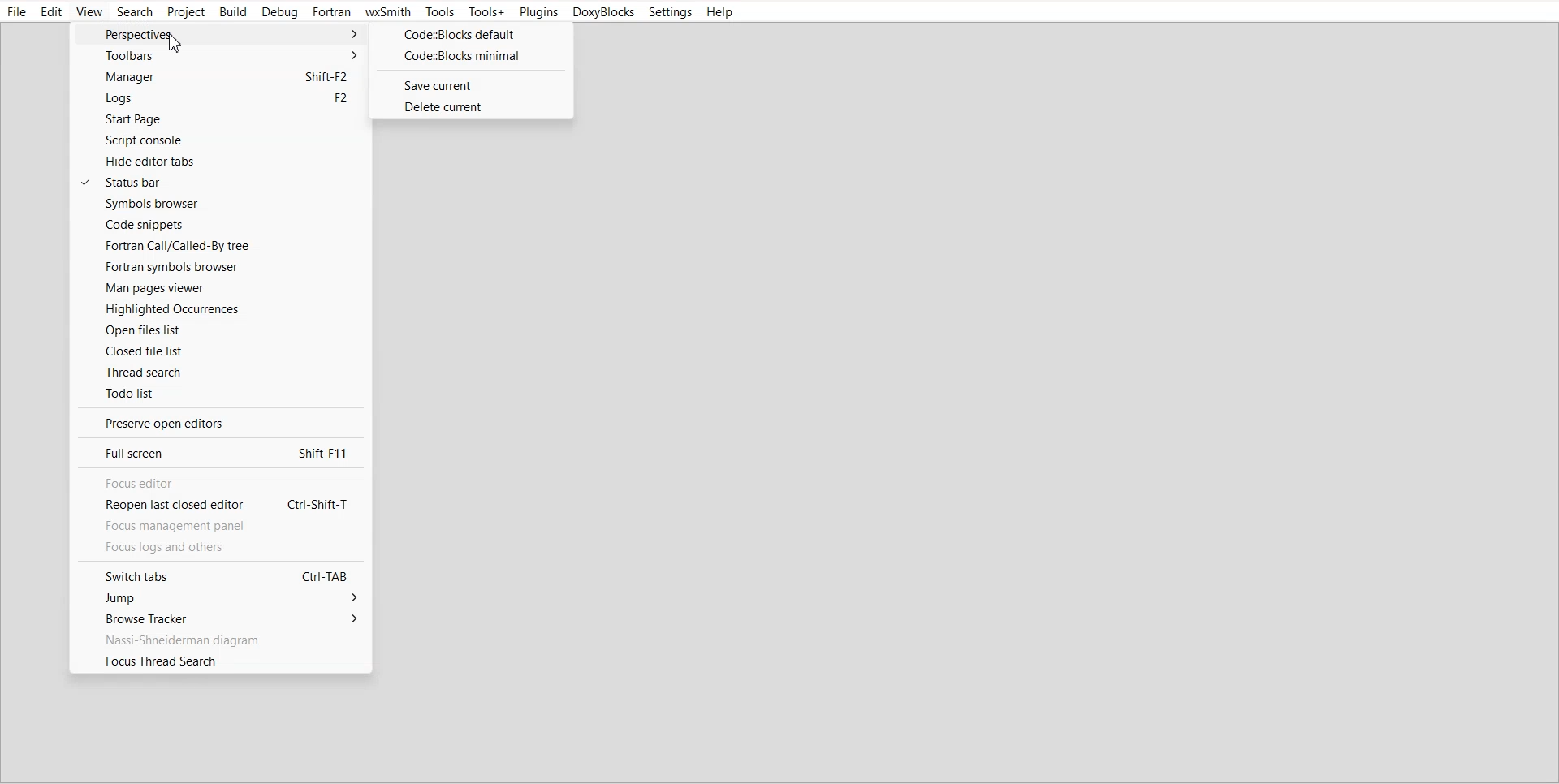 This screenshot has width=1559, height=784. Describe the element at coordinates (471, 107) in the screenshot. I see `Delete current` at that location.